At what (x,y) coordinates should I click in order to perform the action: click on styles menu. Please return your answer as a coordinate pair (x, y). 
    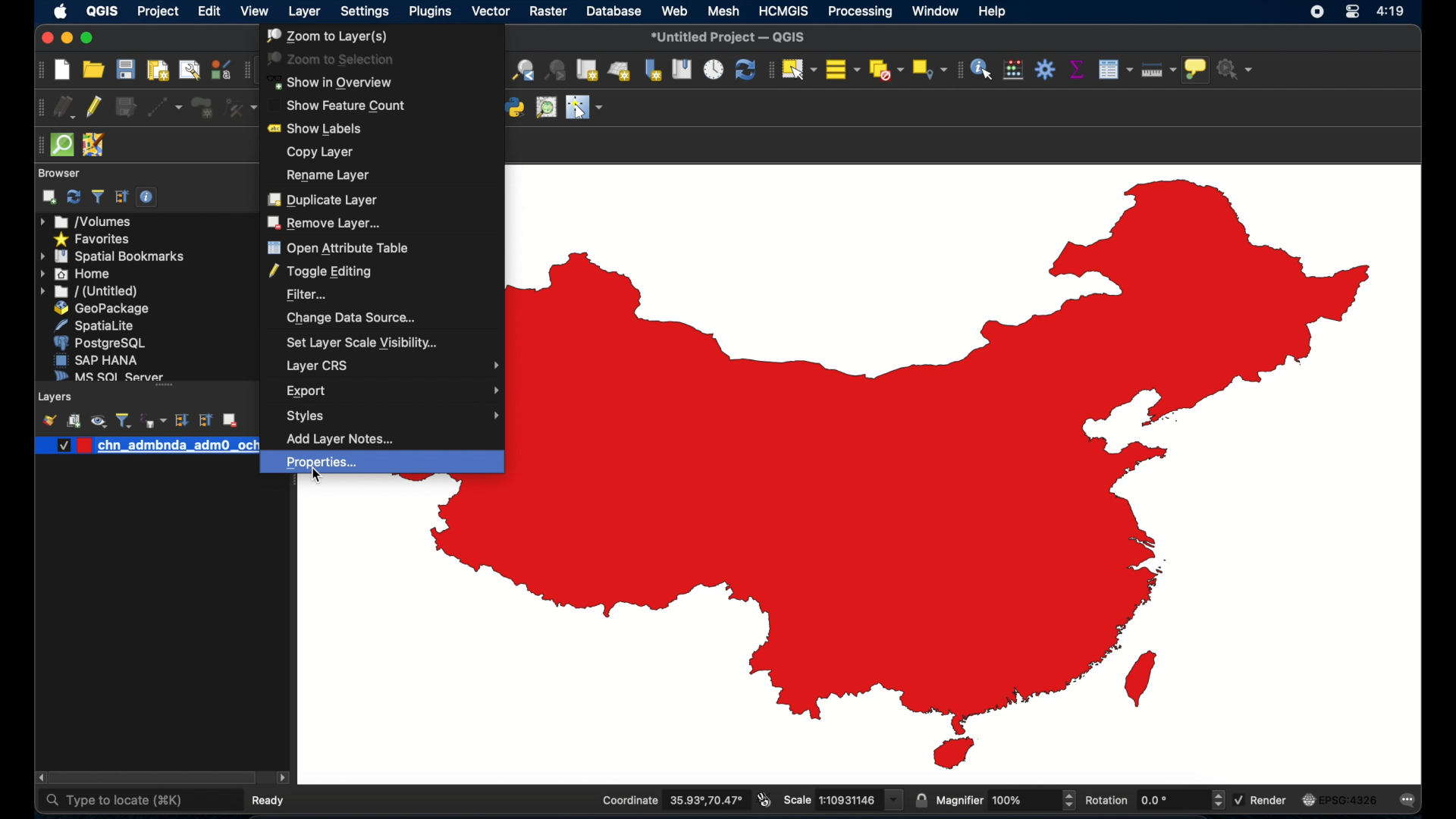
    Looking at the image, I should click on (392, 416).